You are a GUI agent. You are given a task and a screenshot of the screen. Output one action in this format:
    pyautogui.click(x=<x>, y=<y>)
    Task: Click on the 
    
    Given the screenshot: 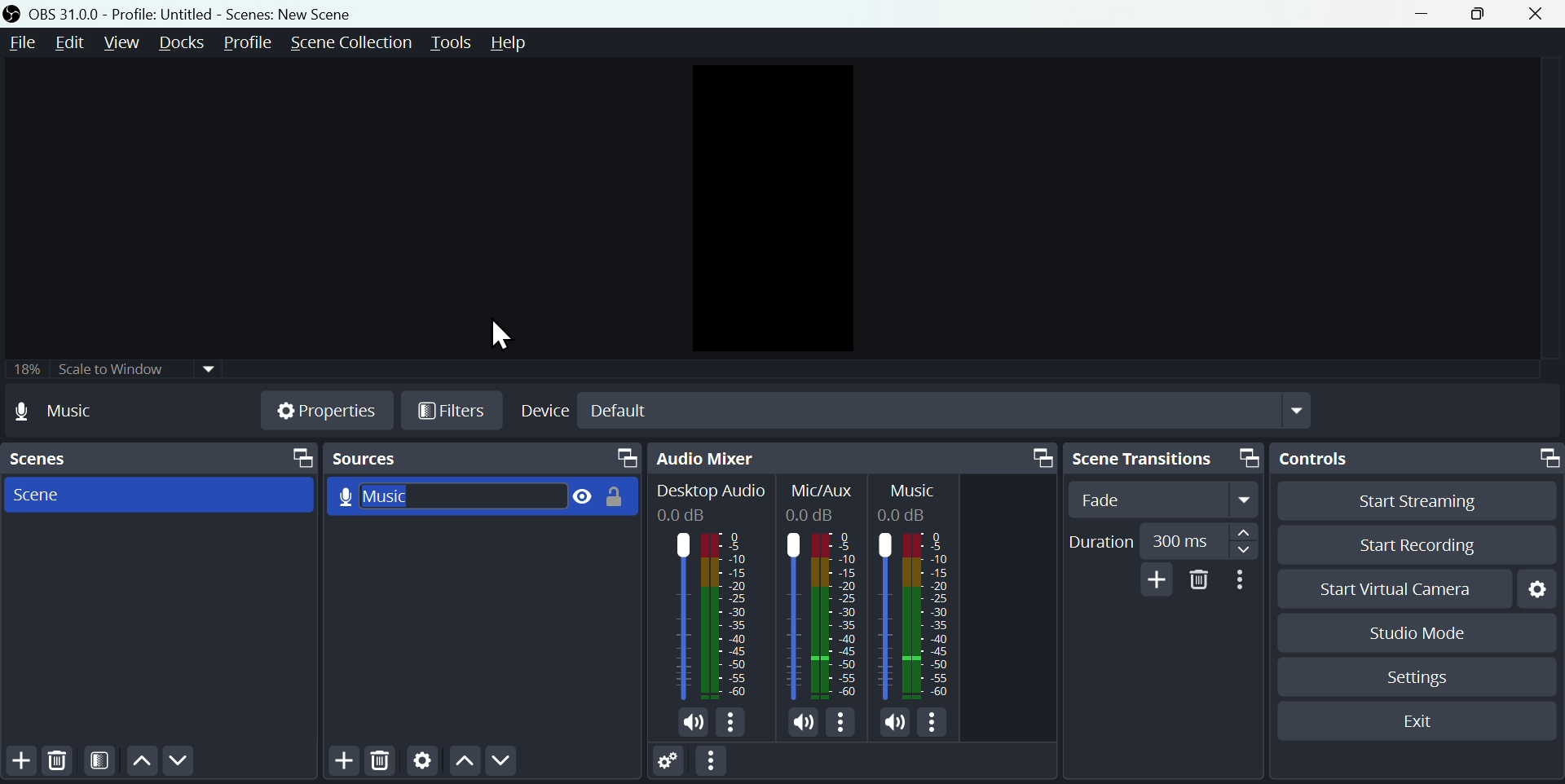 What is the action you would take?
    pyautogui.click(x=911, y=489)
    